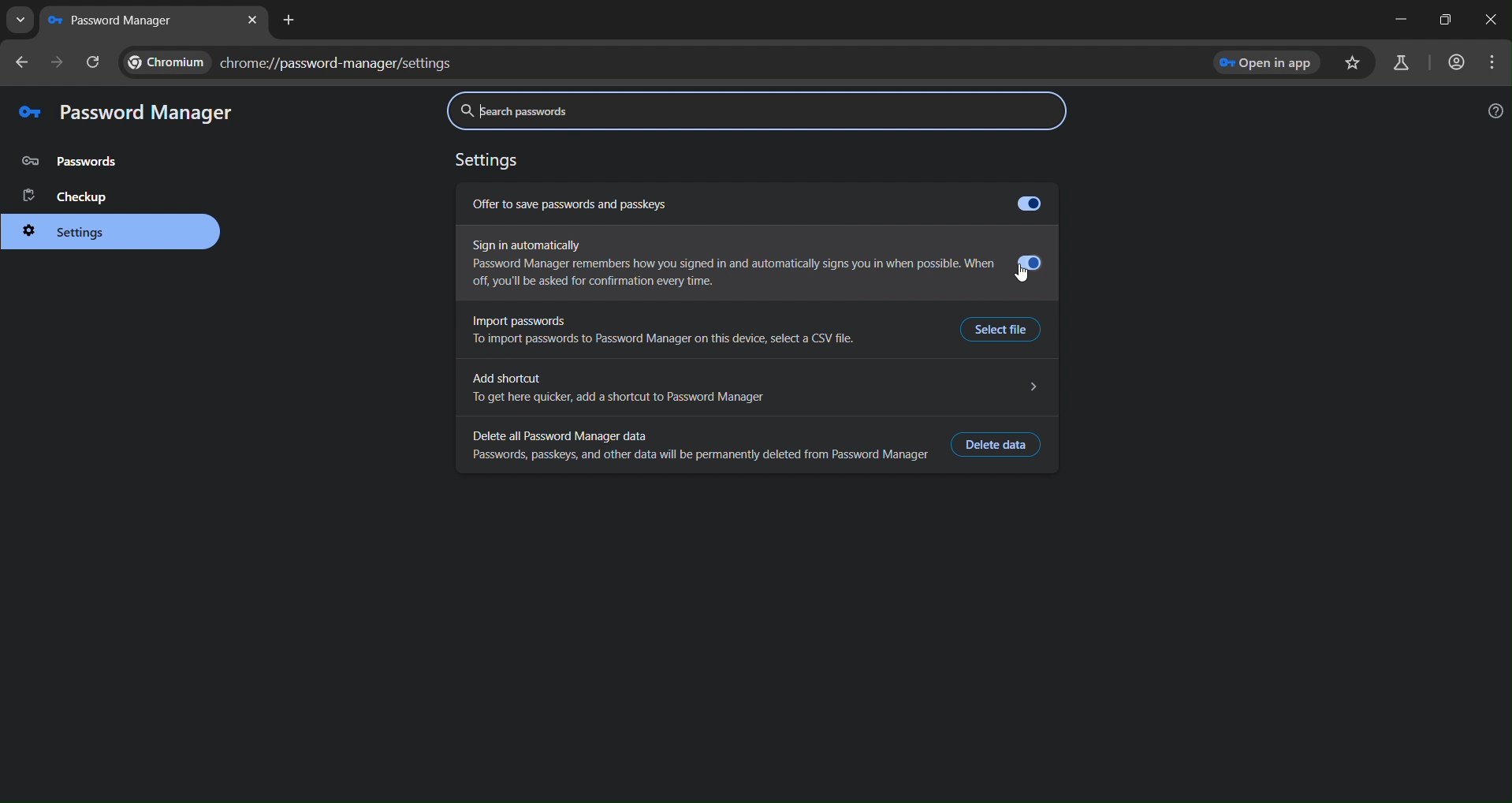 The image size is (1512, 803). What do you see at coordinates (77, 162) in the screenshot?
I see `password` at bounding box center [77, 162].